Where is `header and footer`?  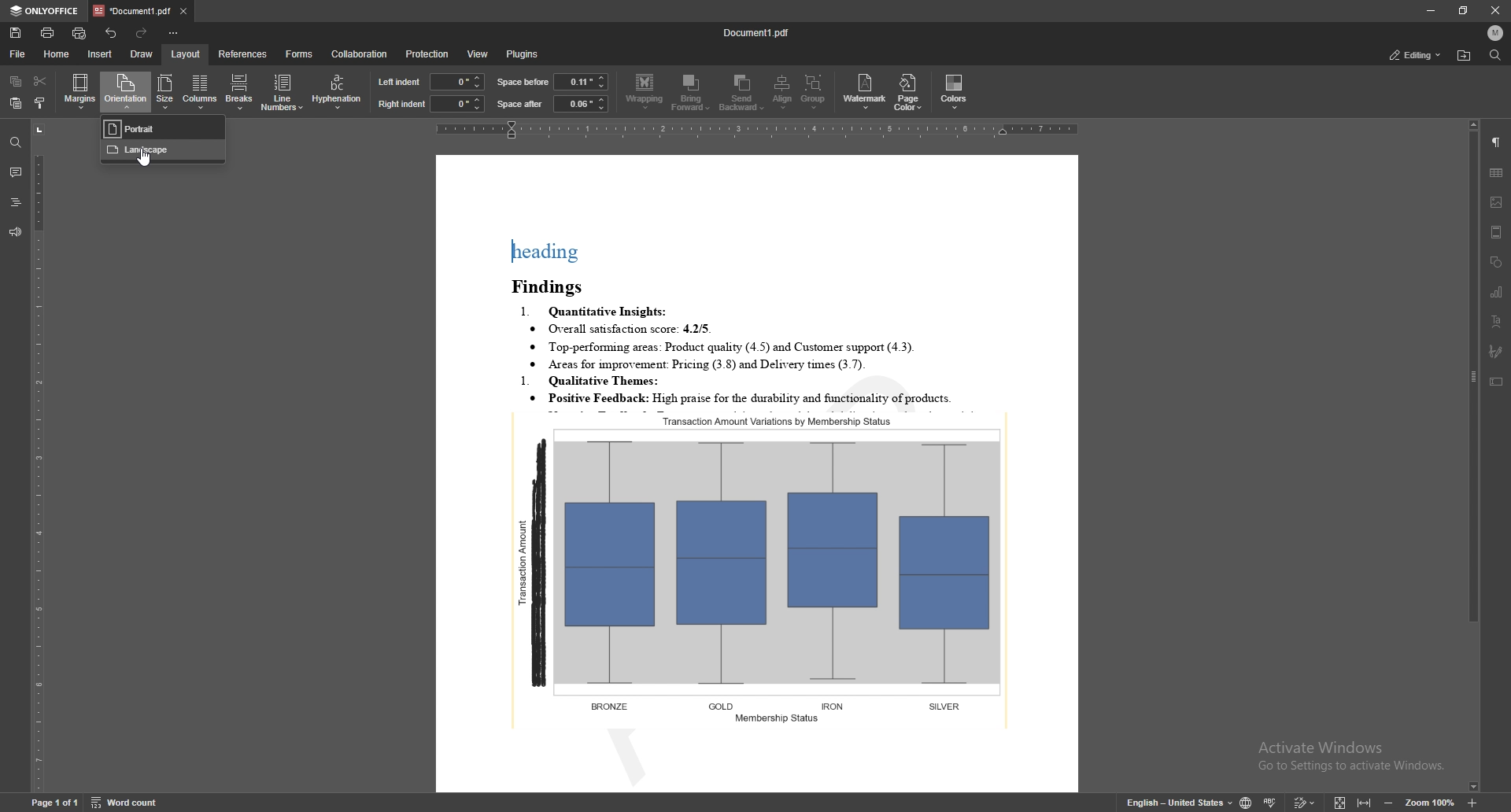
header and footer is located at coordinates (1497, 232).